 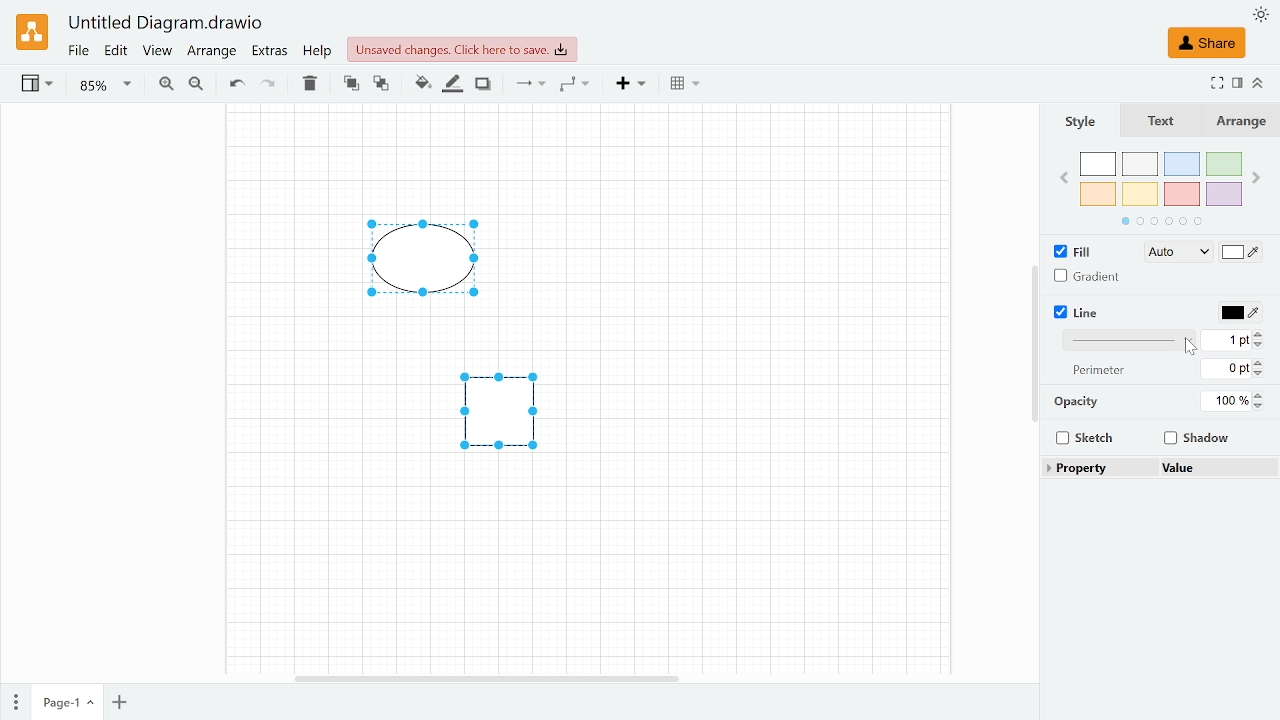 I want to click on , so click(x=1218, y=83).